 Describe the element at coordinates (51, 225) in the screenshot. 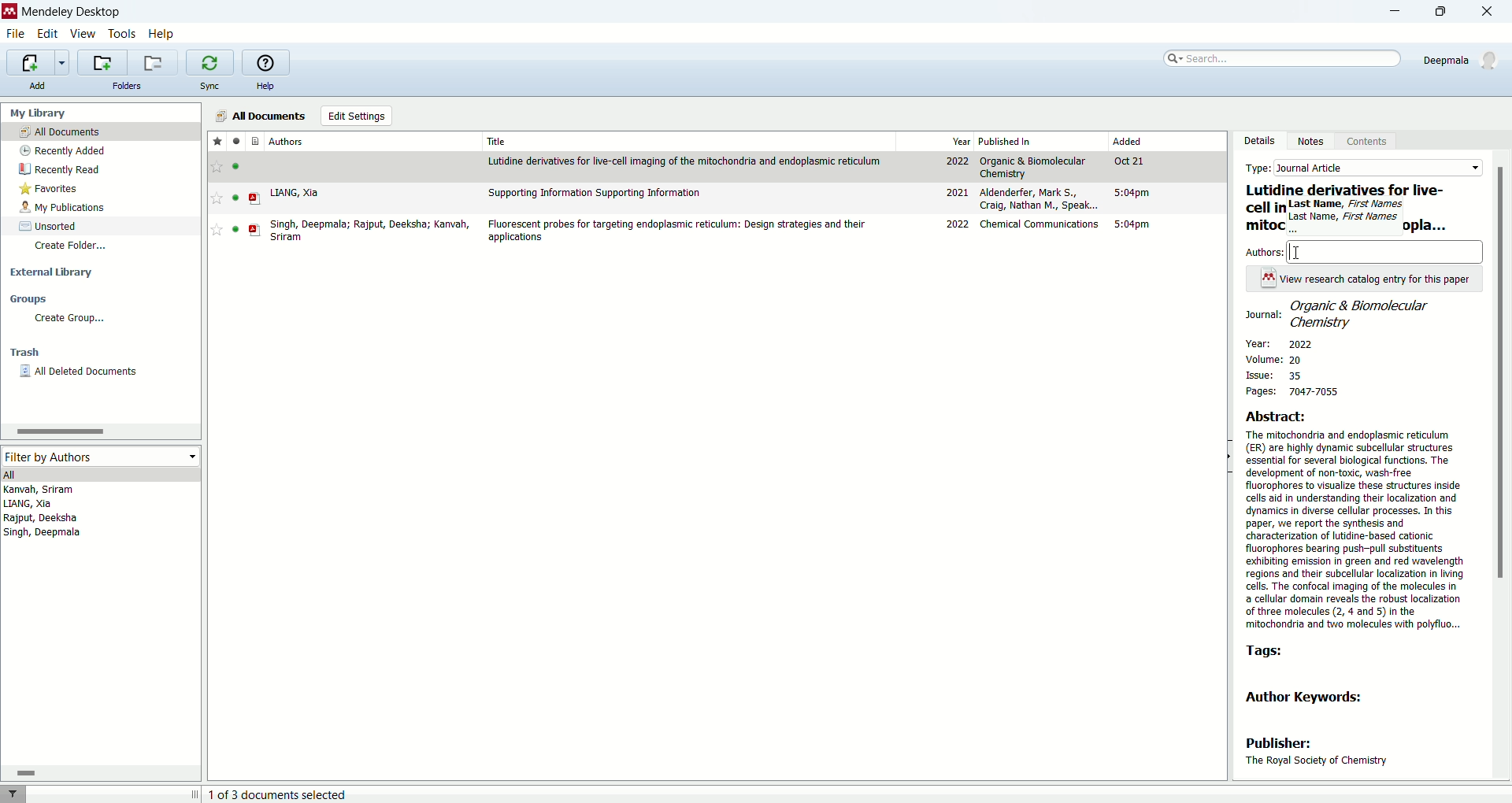

I see `unsorted` at that location.